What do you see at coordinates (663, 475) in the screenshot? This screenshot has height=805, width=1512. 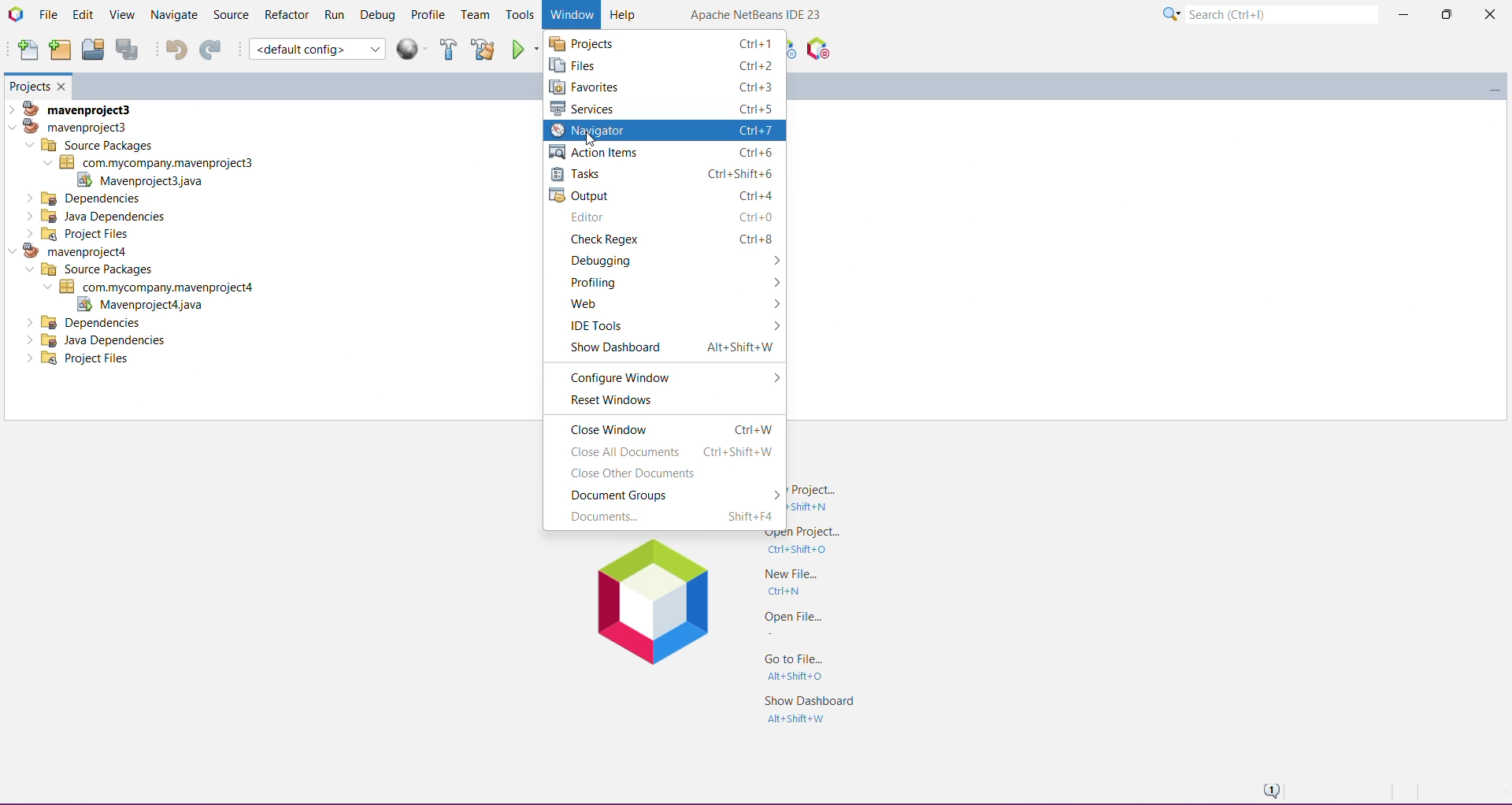 I see `Close Other Documents` at bounding box center [663, 475].